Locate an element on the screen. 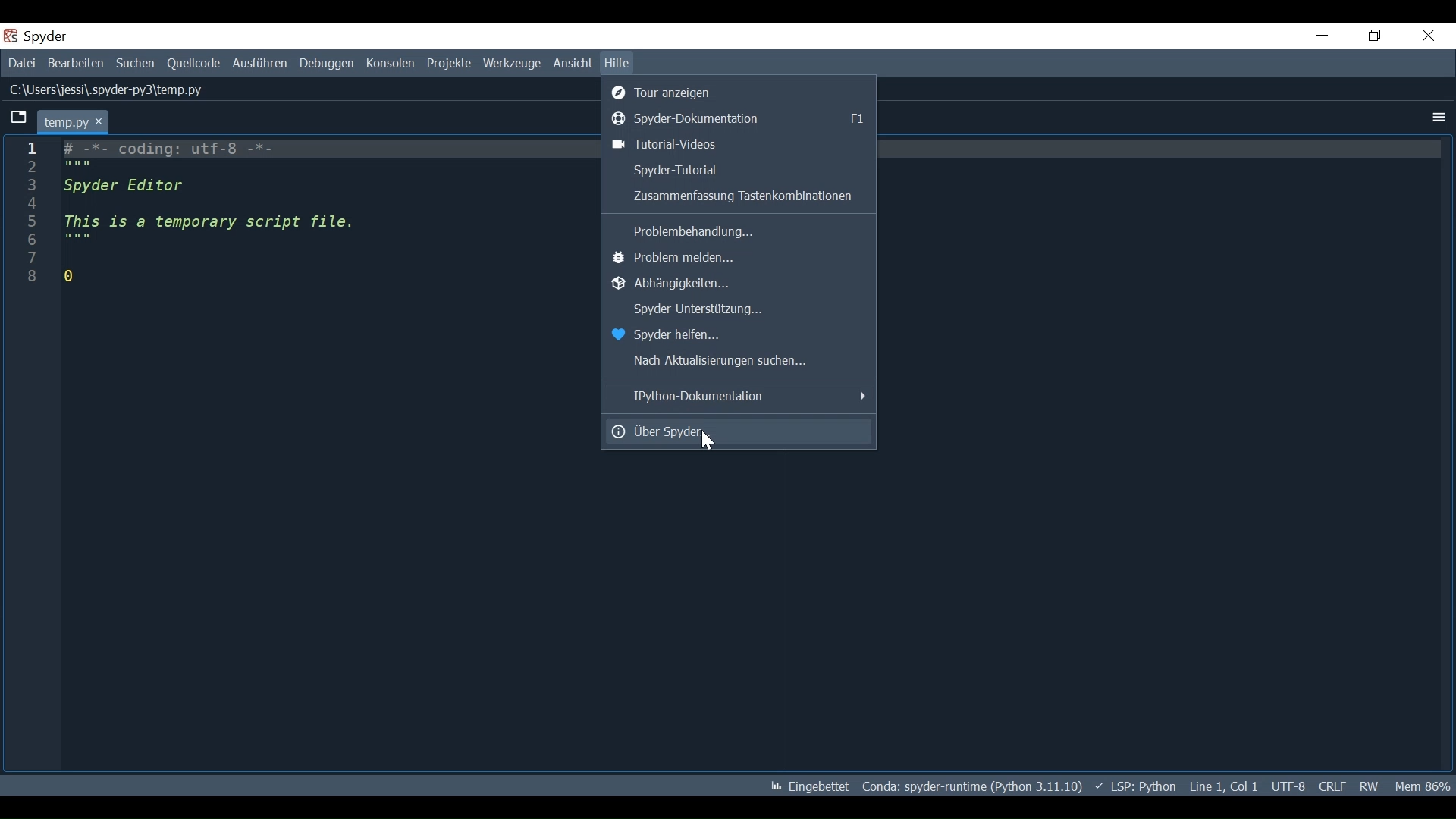  Help is located at coordinates (617, 64).